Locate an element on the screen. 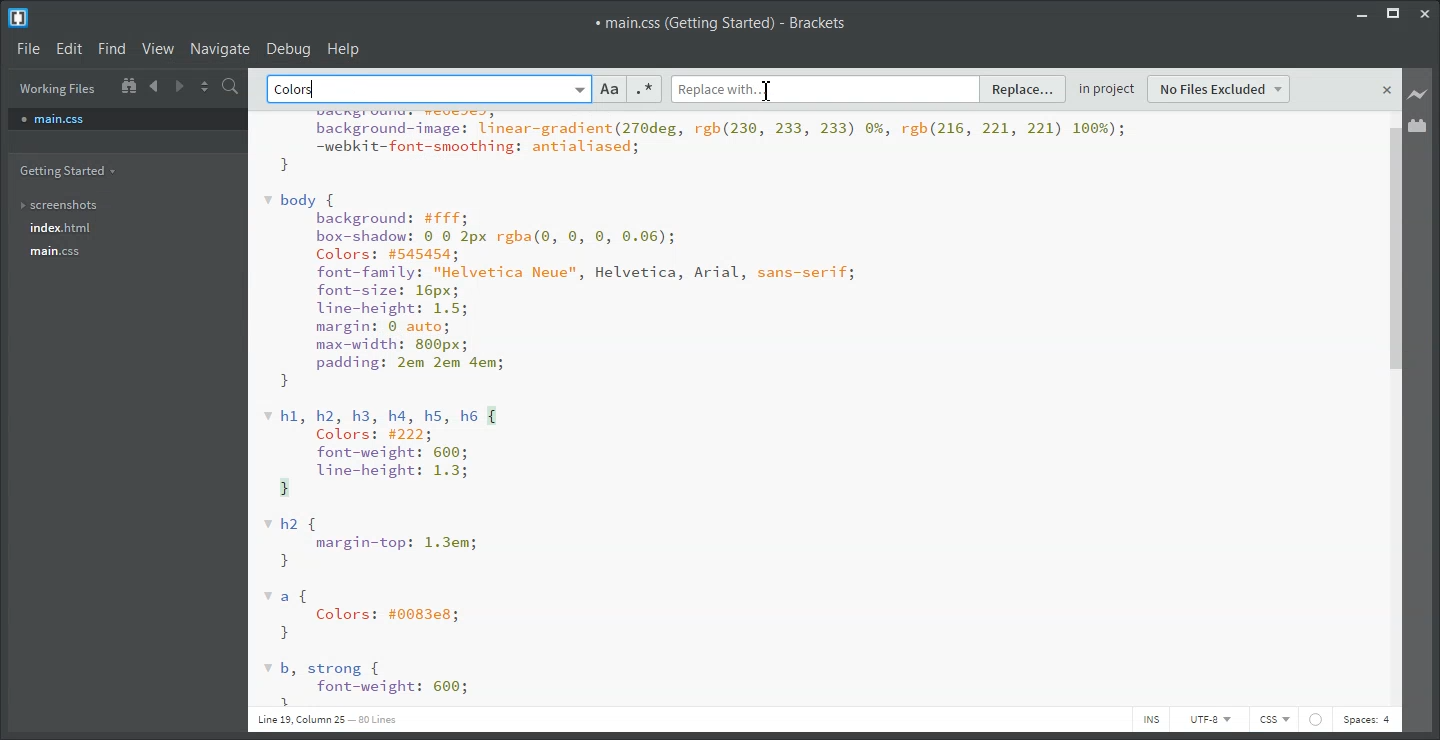  Replace with typing window is located at coordinates (825, 88).